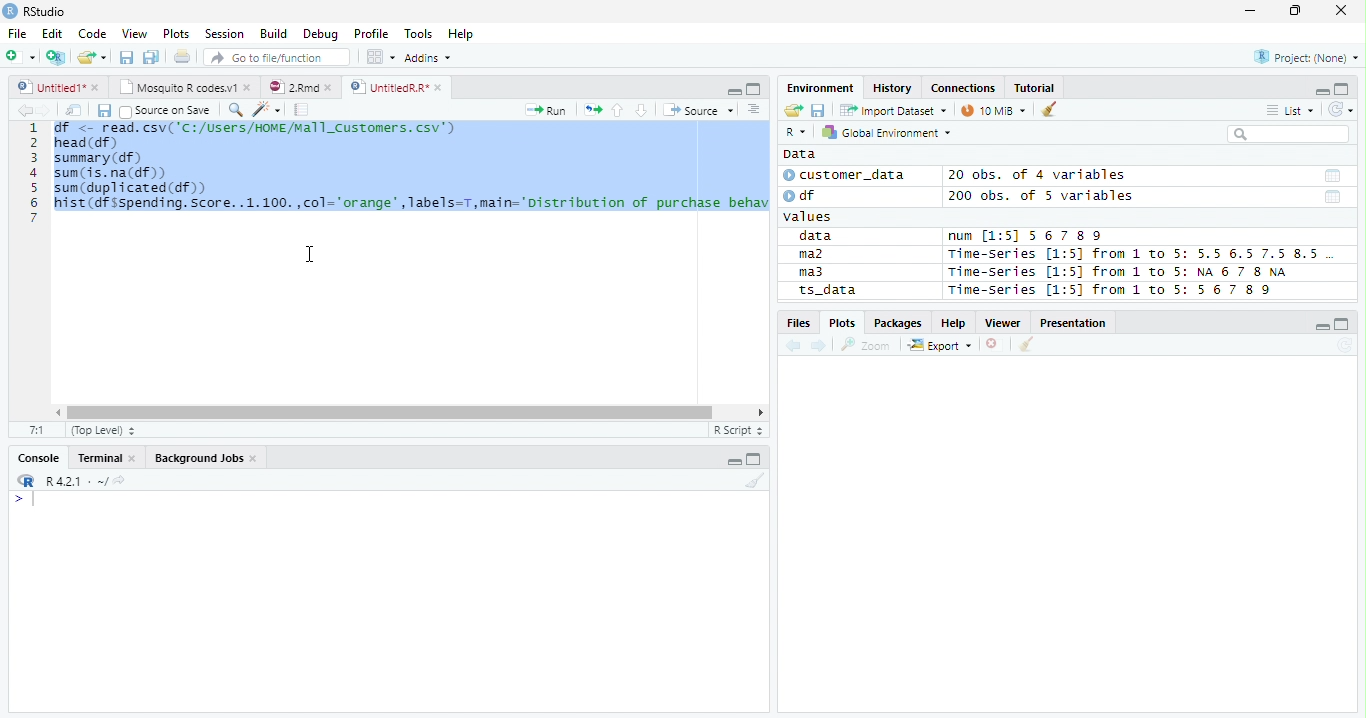  What do you see at coordinates (106, 460) in the screenshot?
I see `Terminal` at bounding box center [106, 460].